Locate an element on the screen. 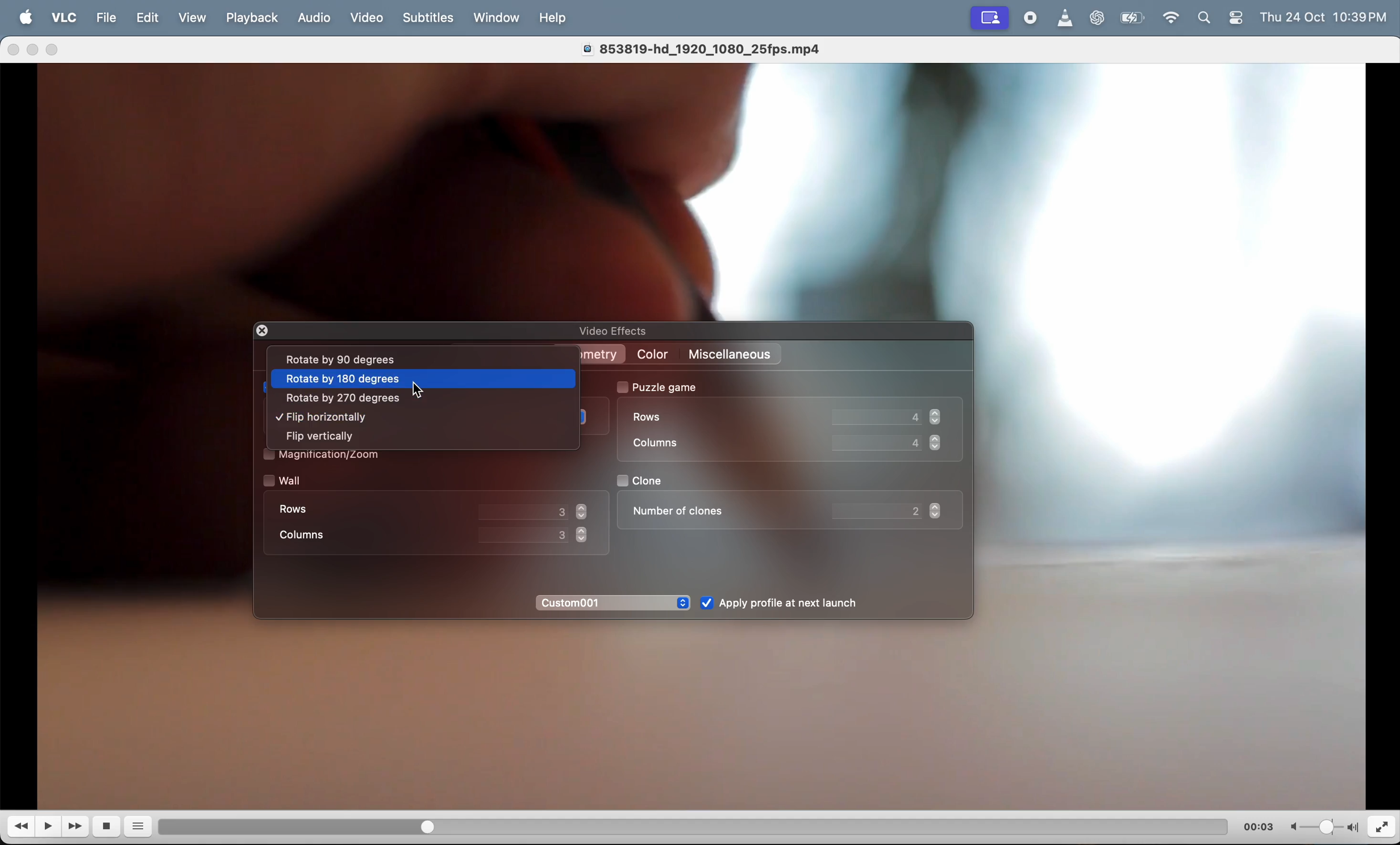 This screenshot has width=1400, height=845. video is located at coordinates (367, 15).